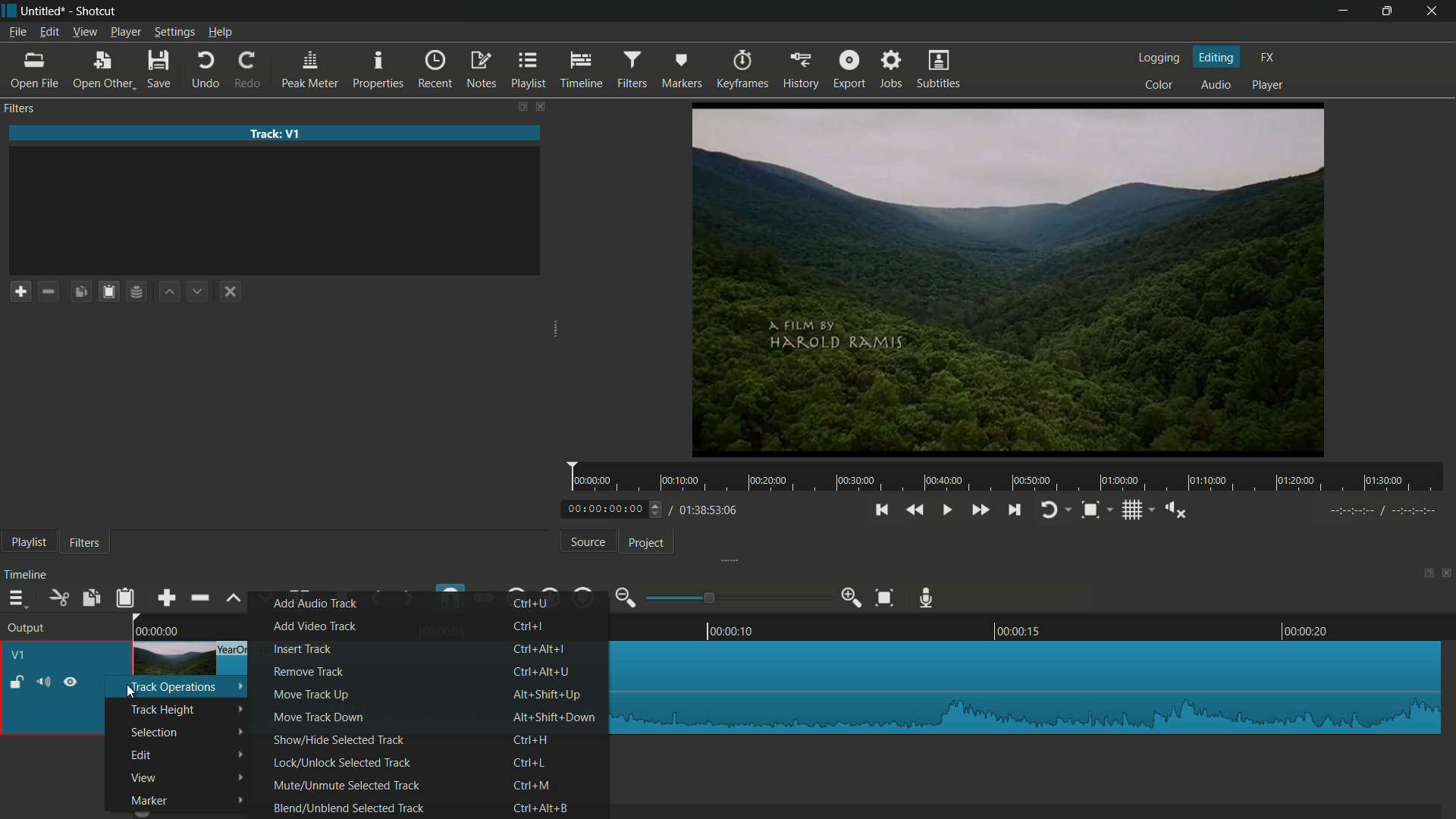  Describe the element at coordinates (529, 604) in the screenshot. I see `key shortcut` at that location.